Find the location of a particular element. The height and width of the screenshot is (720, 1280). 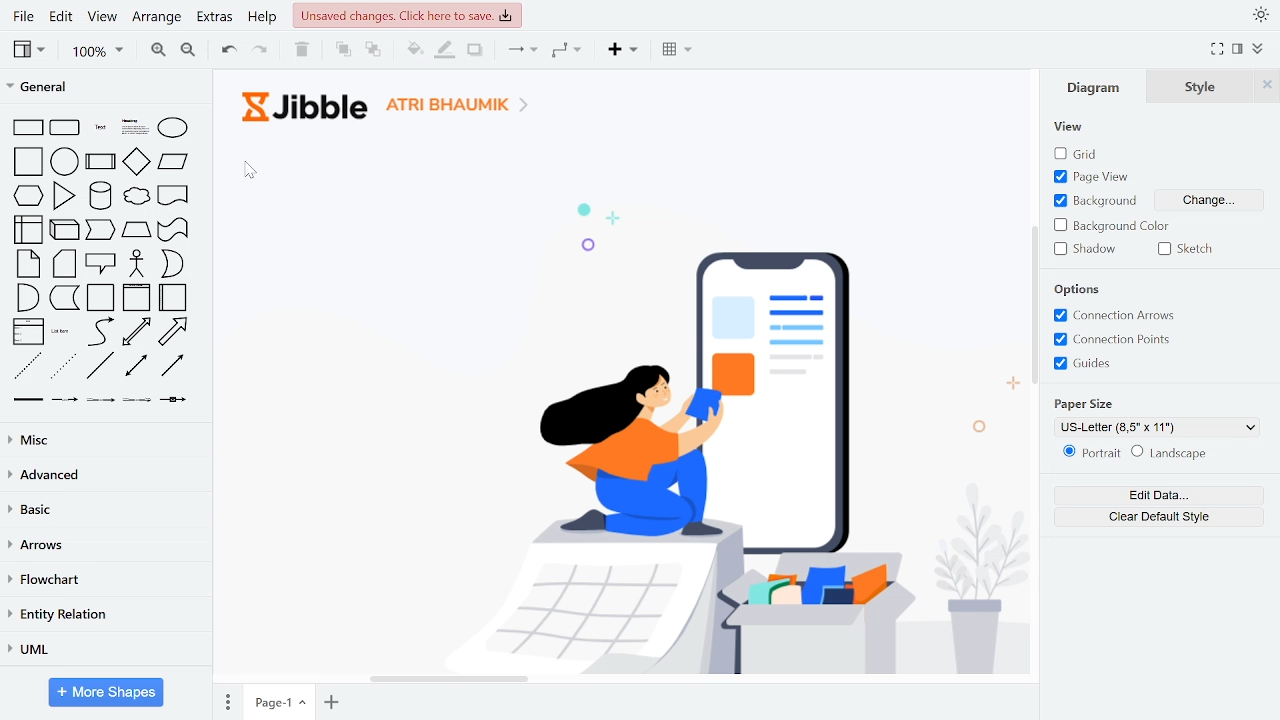

potrait is located at coordinates (1093, 452).